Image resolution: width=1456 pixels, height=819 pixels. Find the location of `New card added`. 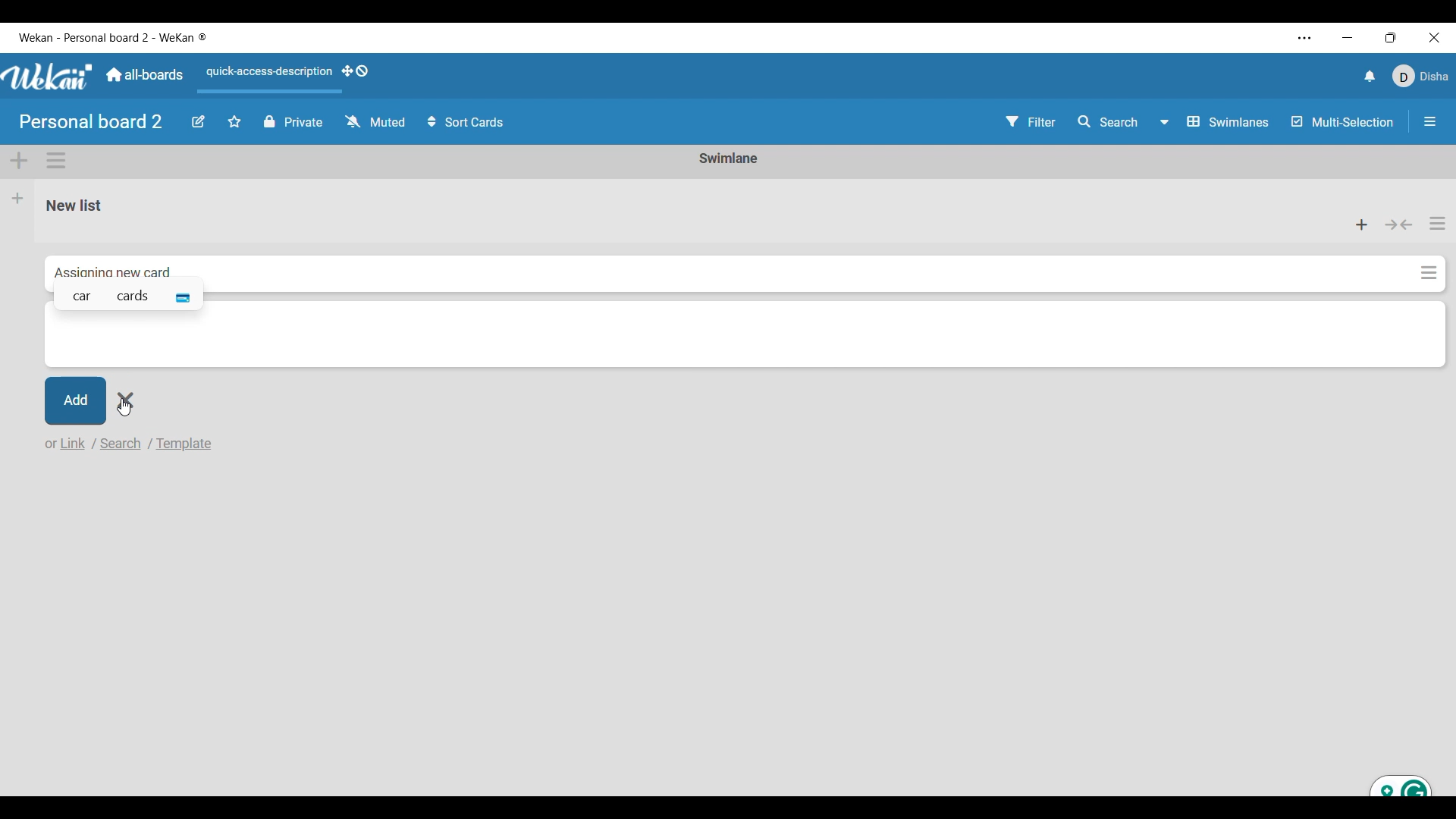

New card added is located at coordinates (730, 266).